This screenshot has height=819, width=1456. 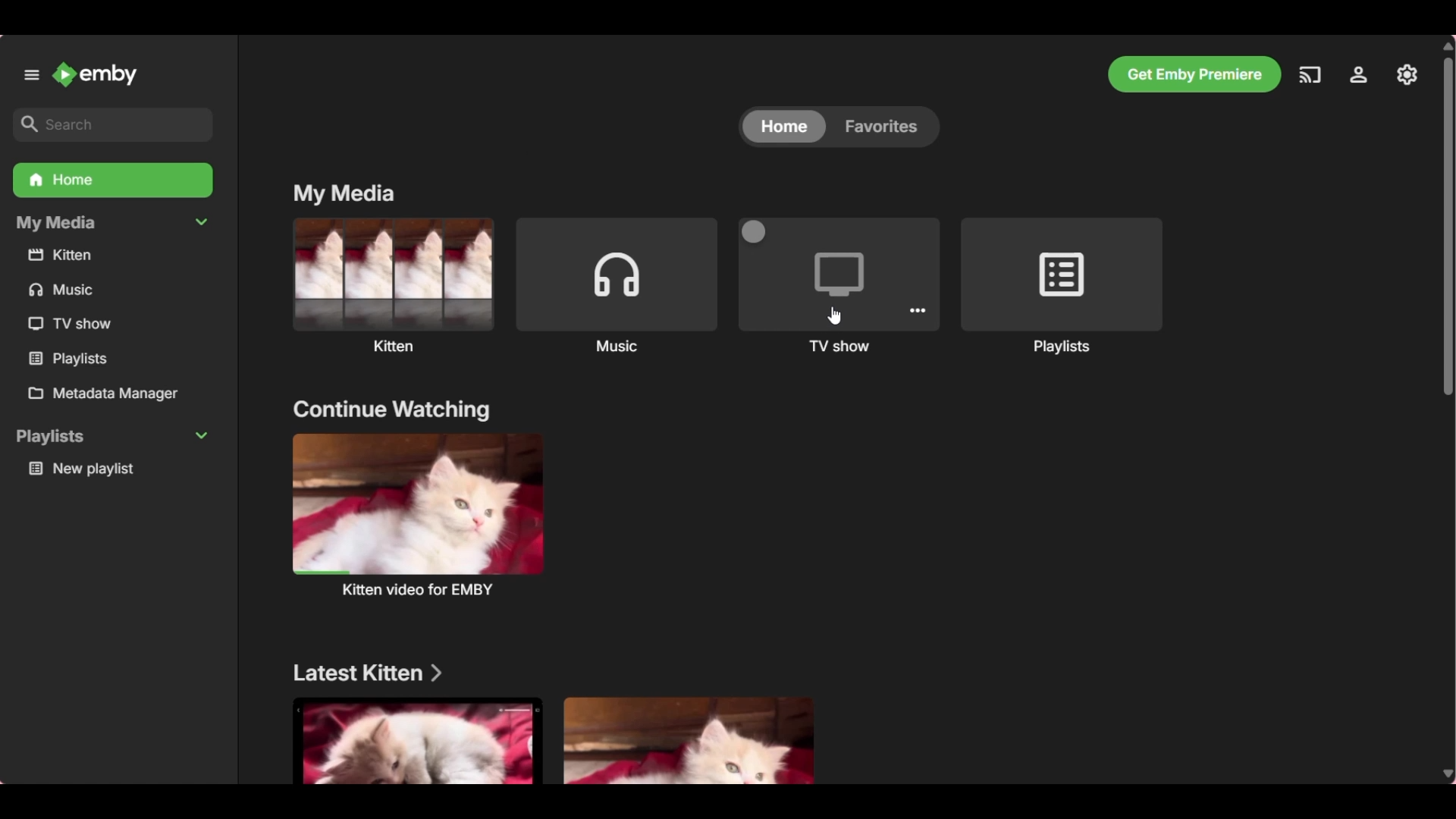 I want to click on Collapse Playlists, so click(x=112, y=436).